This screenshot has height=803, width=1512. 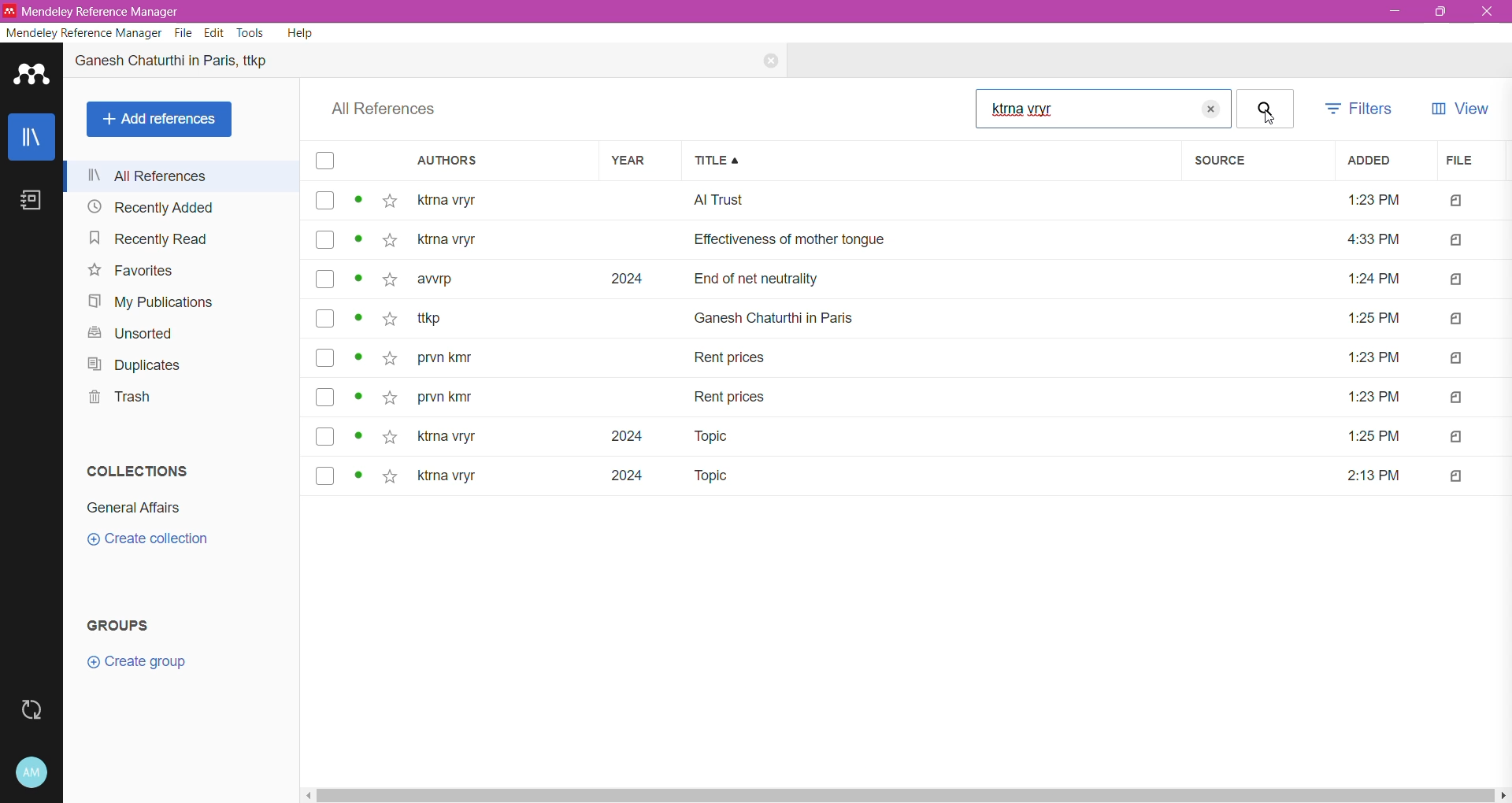 What do you see at coordinates (389, 397) in the screenshot?
I see `add to favorites` at bounding box center [389, 397].